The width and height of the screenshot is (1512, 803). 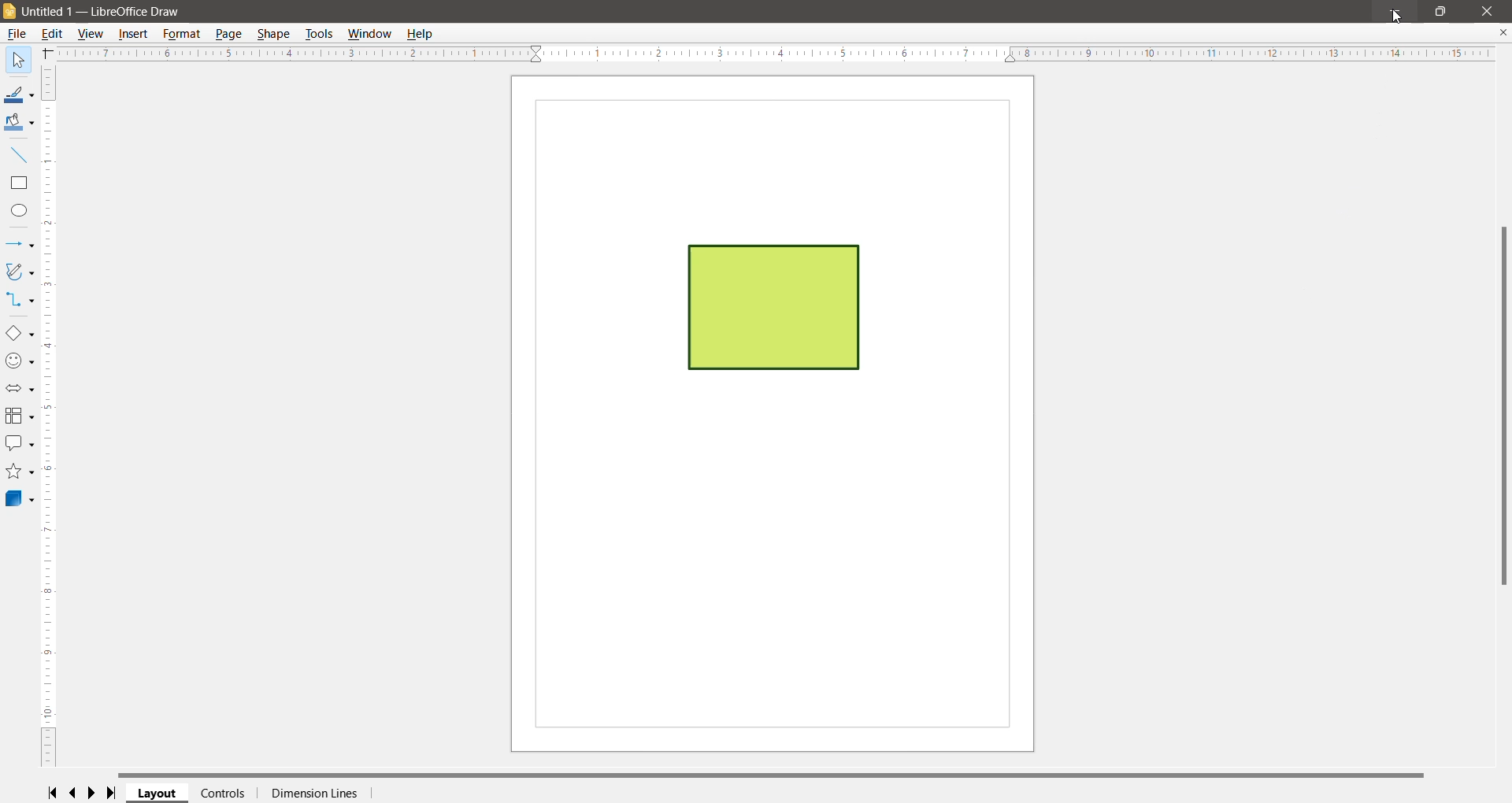 I want to click on 3D Objects, so click(x=19, y=500).